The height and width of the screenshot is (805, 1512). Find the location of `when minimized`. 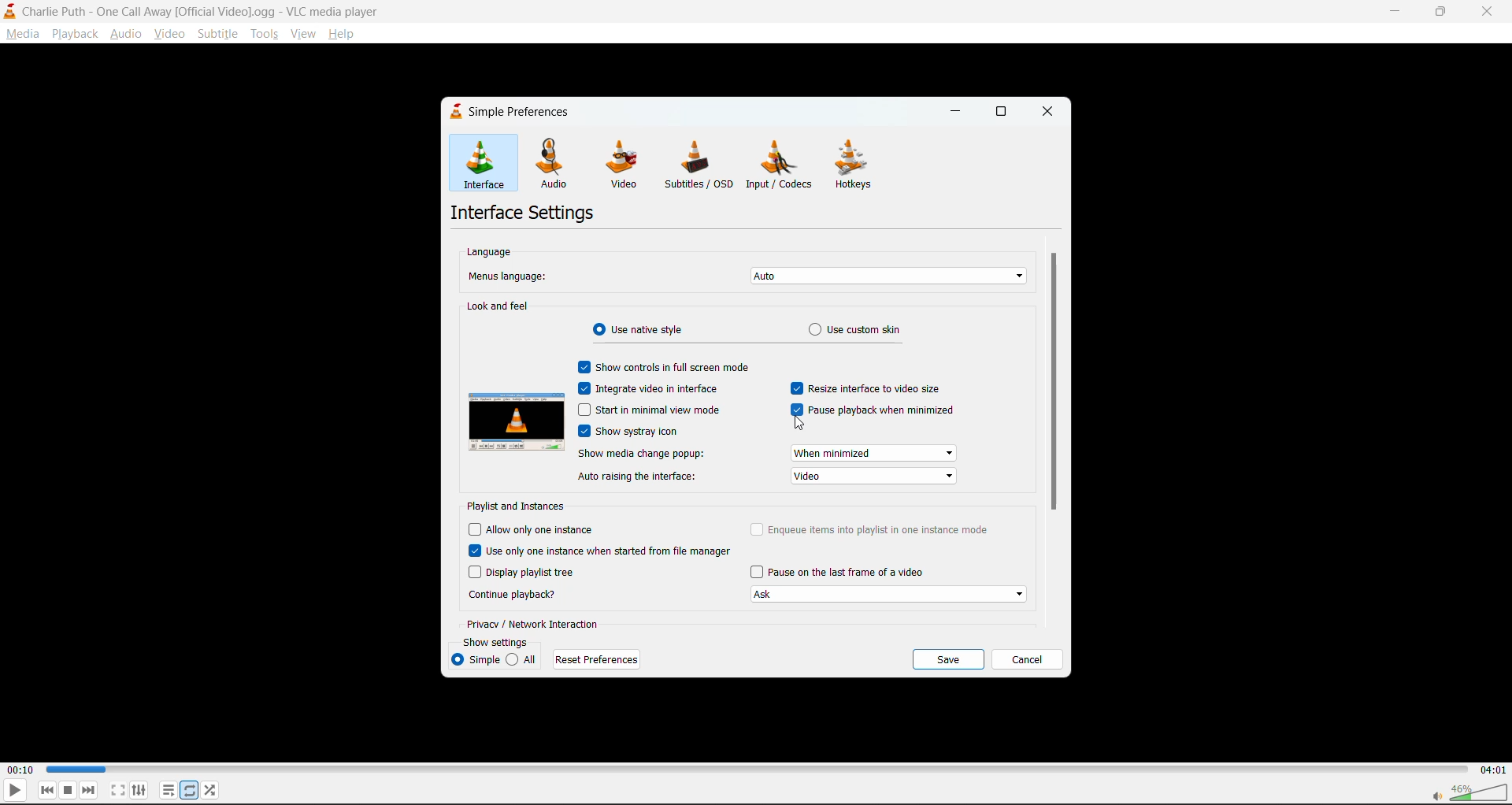

when minimized is located at coordinates (876, 452).